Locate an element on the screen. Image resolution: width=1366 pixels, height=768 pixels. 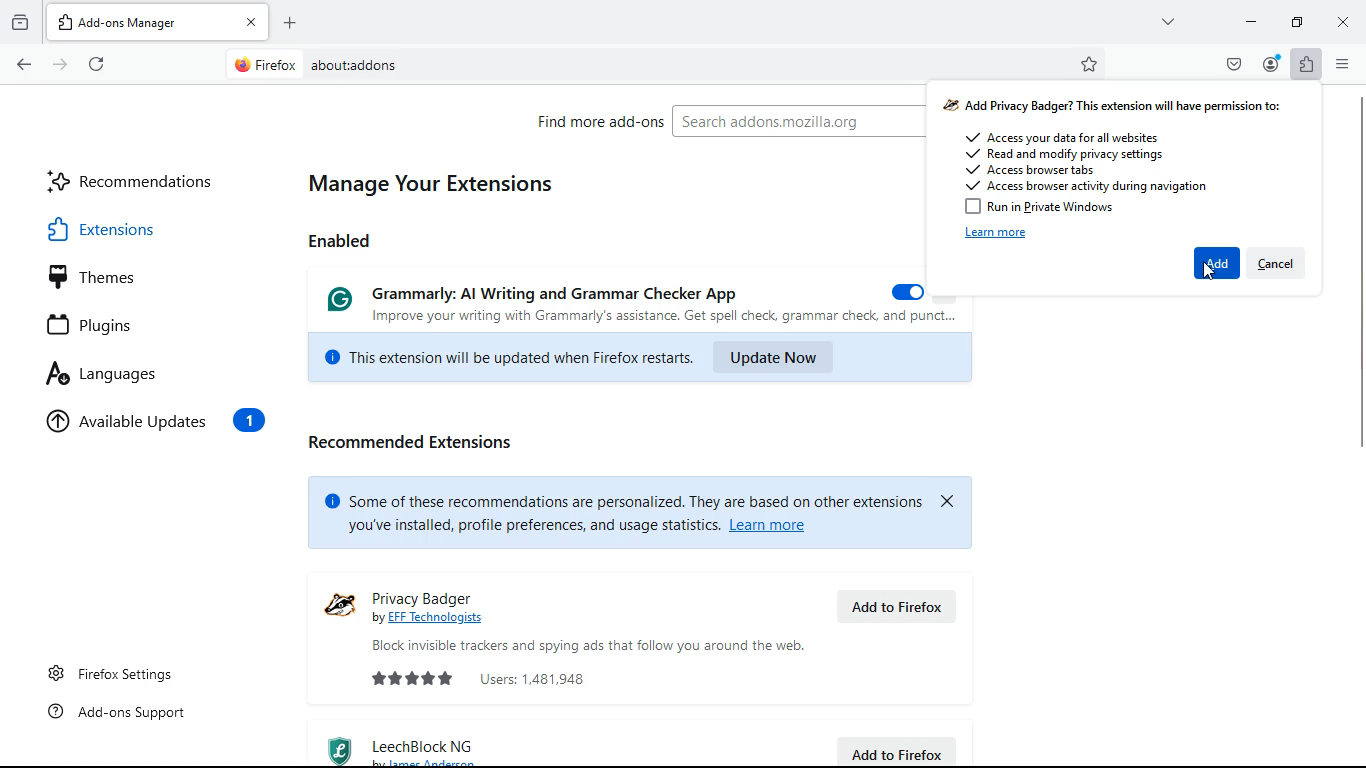
close is located at coordinates (1348, 21).